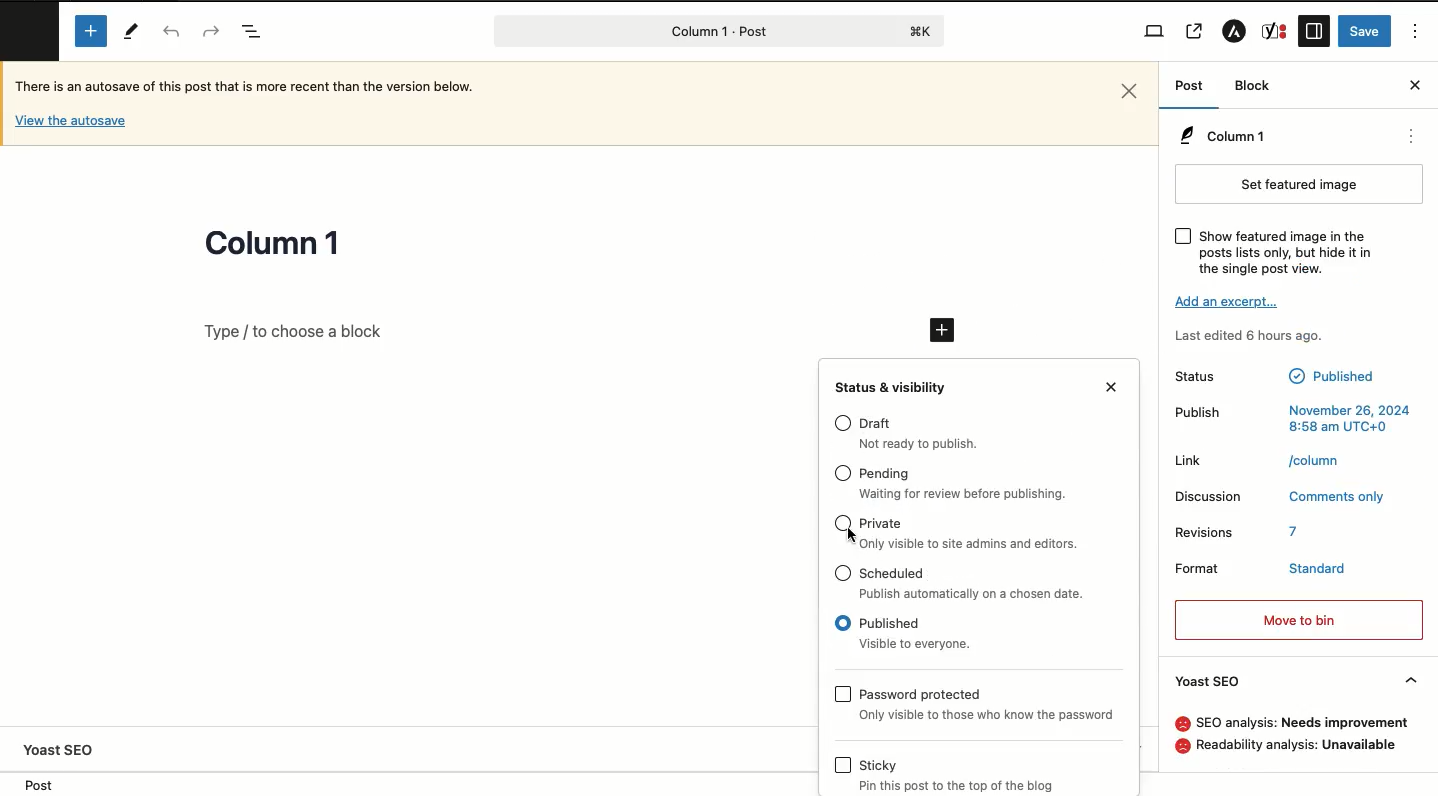  What do you see at coordinates (71, 120) in the screenshot?
I see `Autosave` at bounding box center [71, 120].